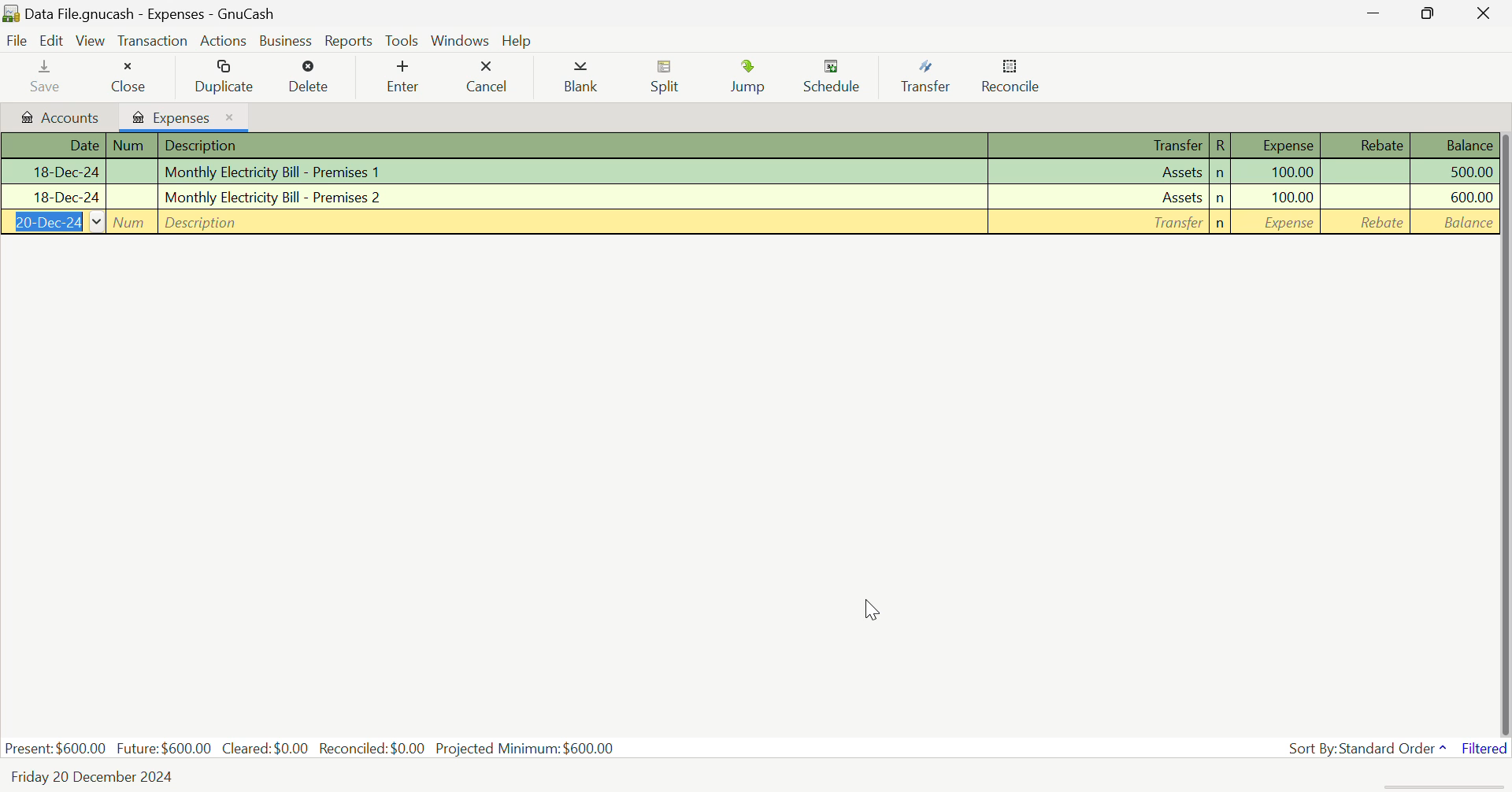 This screenshot has width=1512, height=792. Describe the element at coordinates (668, 79) in the screenshot. I see `Split` at that location.